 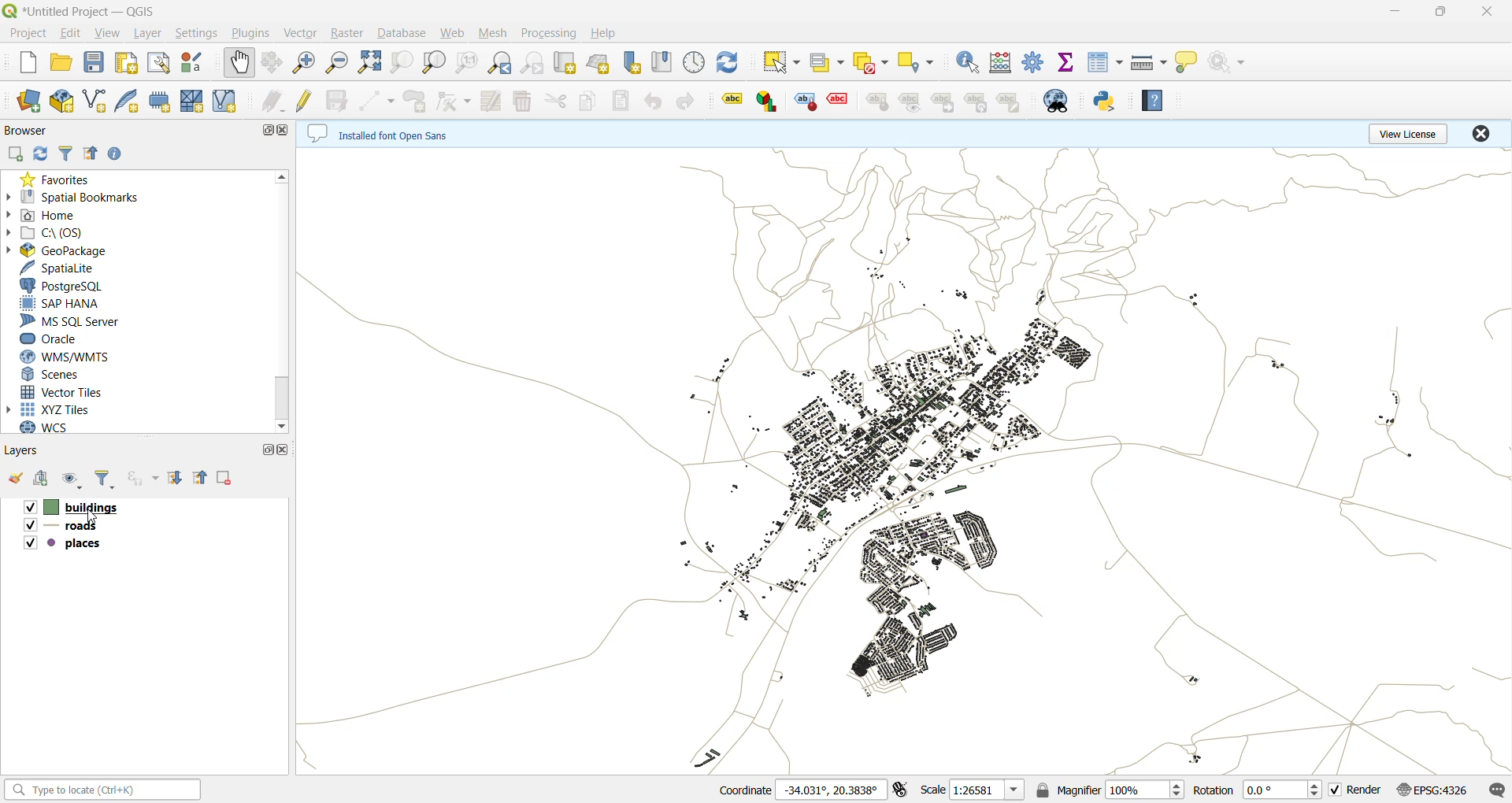 What do you see at coordinates (15, 479) in the screenshot?
I see `open` at bounding box center [15, 479].